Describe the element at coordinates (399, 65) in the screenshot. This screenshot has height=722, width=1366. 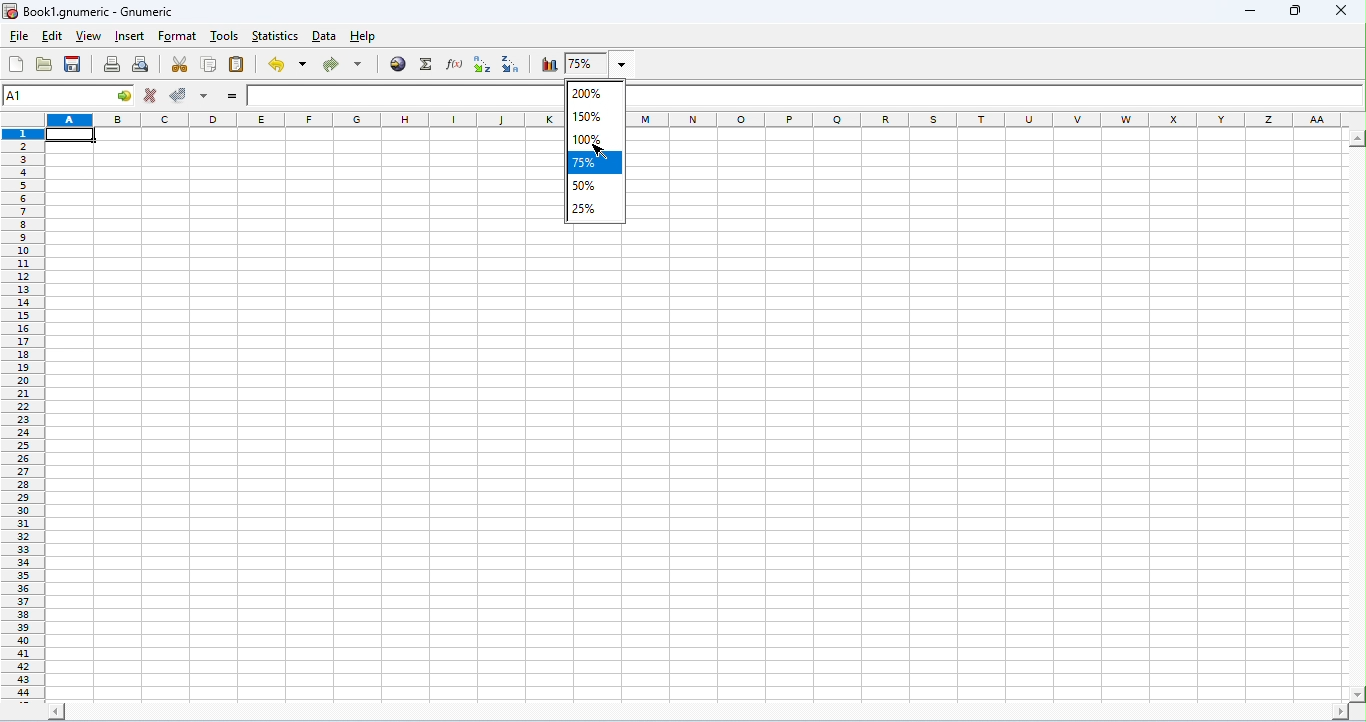
I see `insert hyperlink` at that location.